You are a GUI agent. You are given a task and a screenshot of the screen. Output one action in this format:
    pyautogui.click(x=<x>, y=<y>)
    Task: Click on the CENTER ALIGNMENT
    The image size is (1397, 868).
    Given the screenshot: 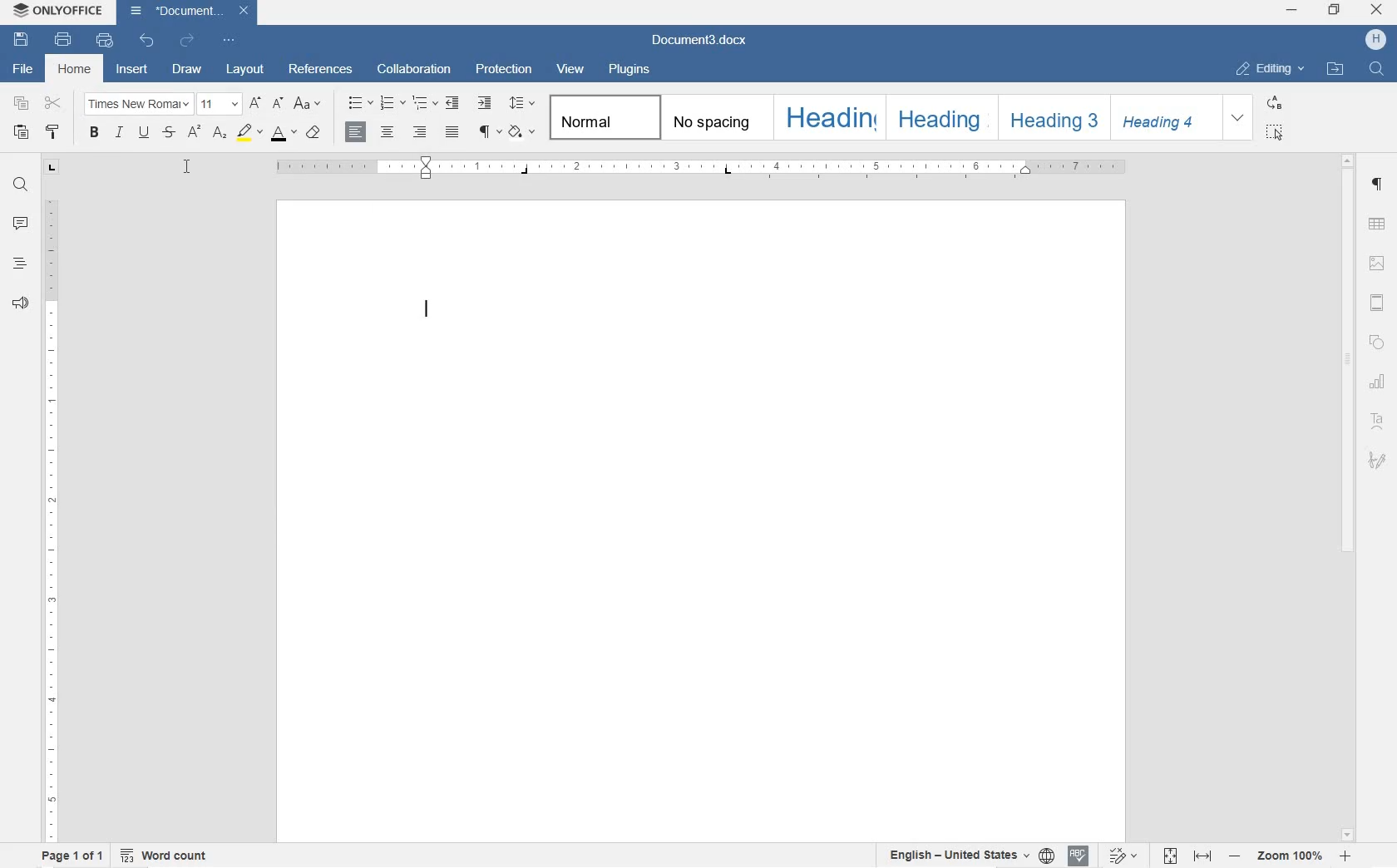 What is the action you would take?
    pyautogui.click(x=388, y=131)
    